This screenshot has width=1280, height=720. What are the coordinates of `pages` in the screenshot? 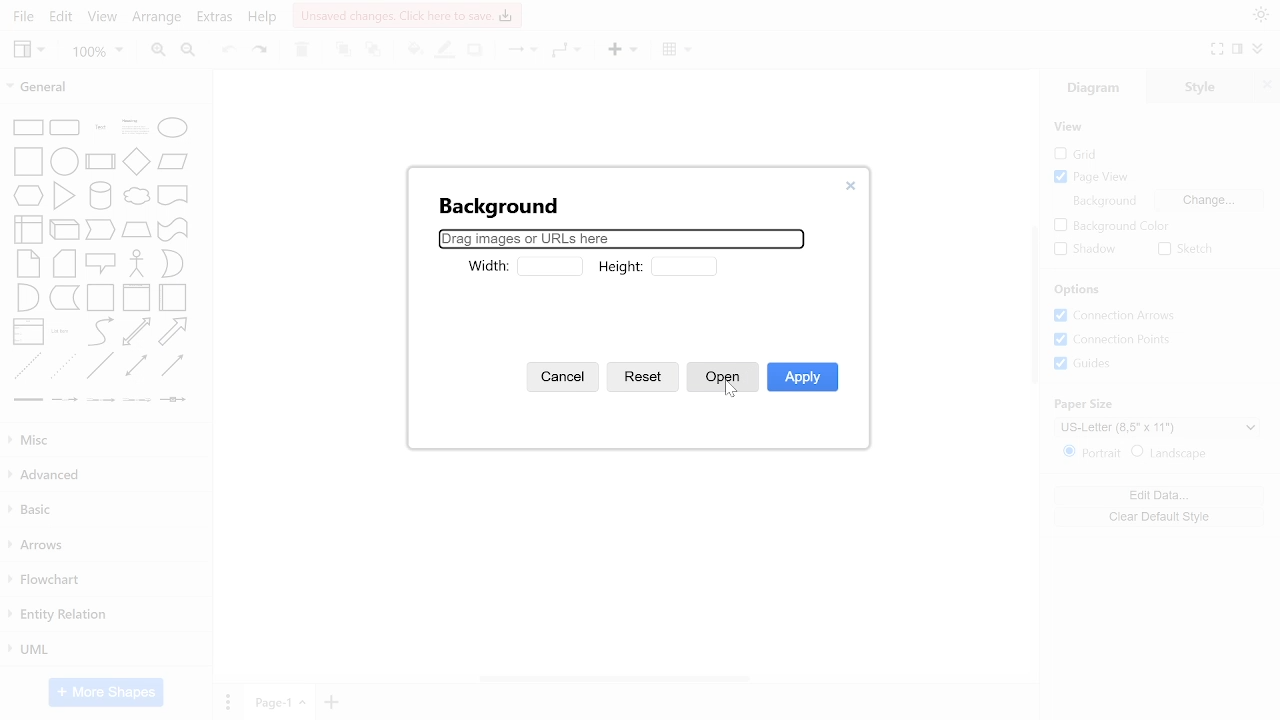 It's located at (226, 701).